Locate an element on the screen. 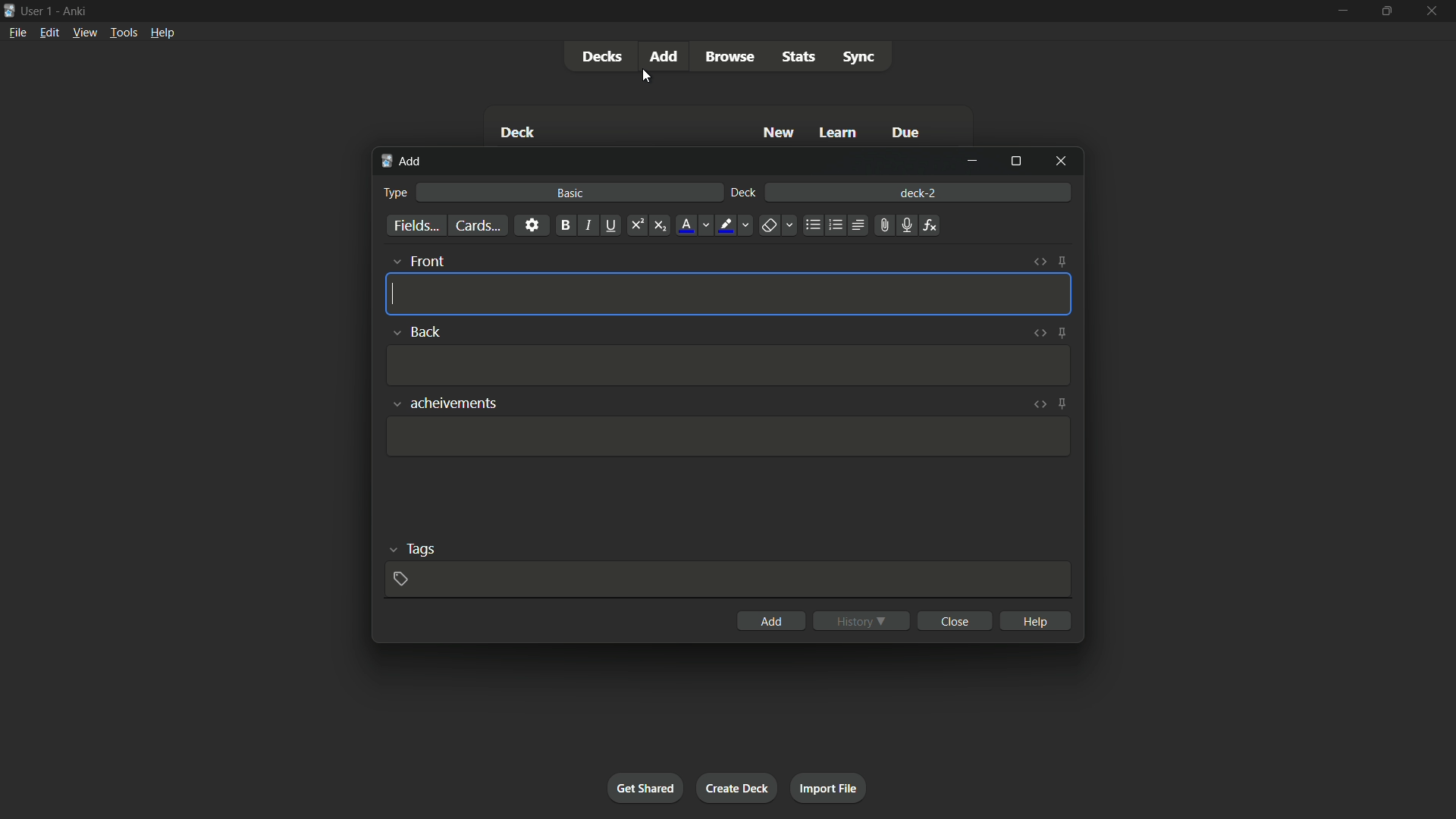 The height and width of the screenshot is (819, 1456). close is located at coordinates (954, 620).